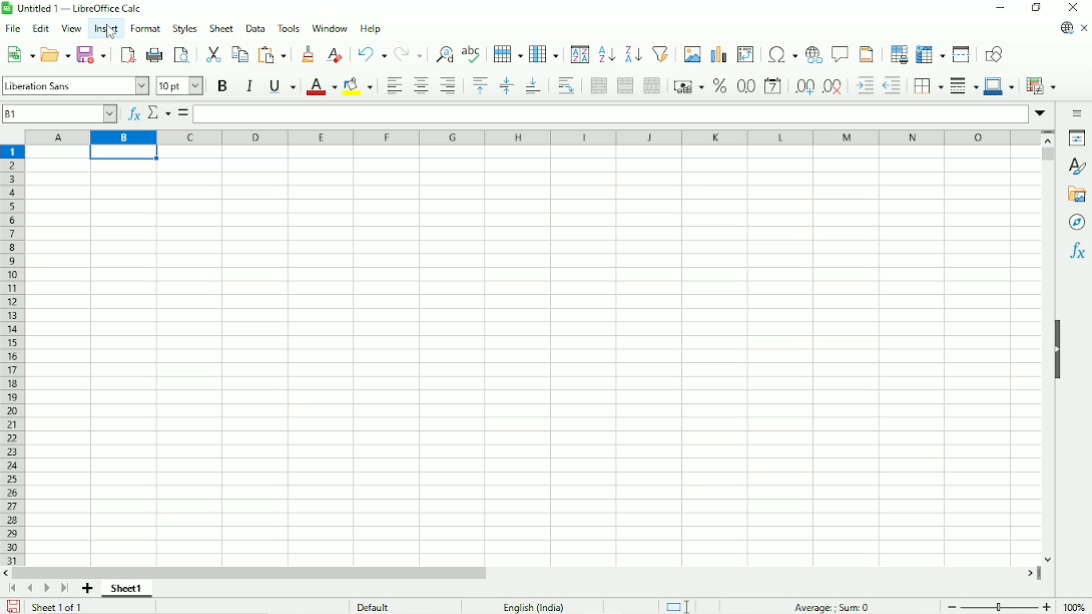 Image resolution: width=1092 pixels, height=614 pixels. I want to click on Font style, so click(75, 86).